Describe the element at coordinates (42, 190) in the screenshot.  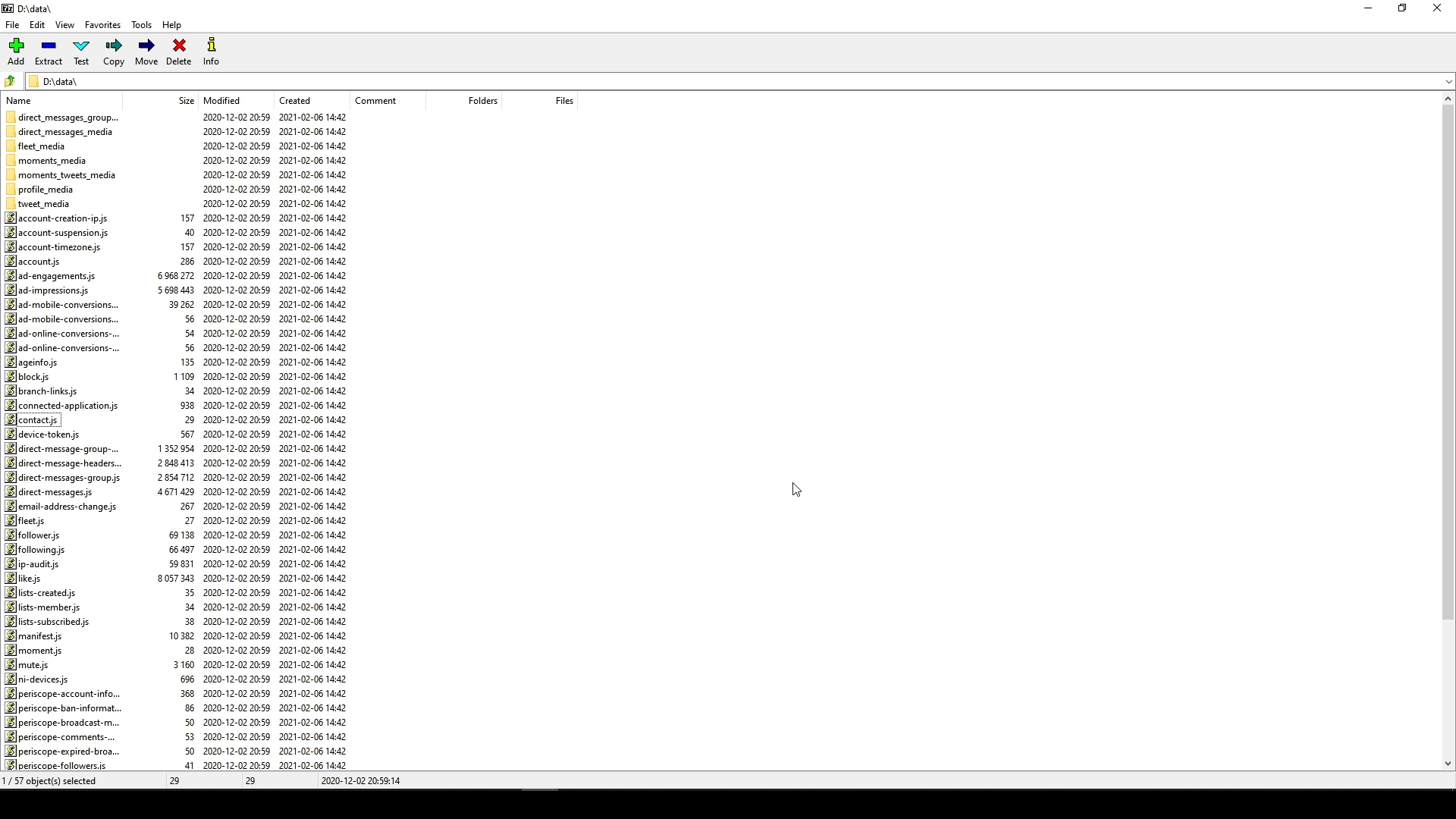
I see `profile_media` at that location.